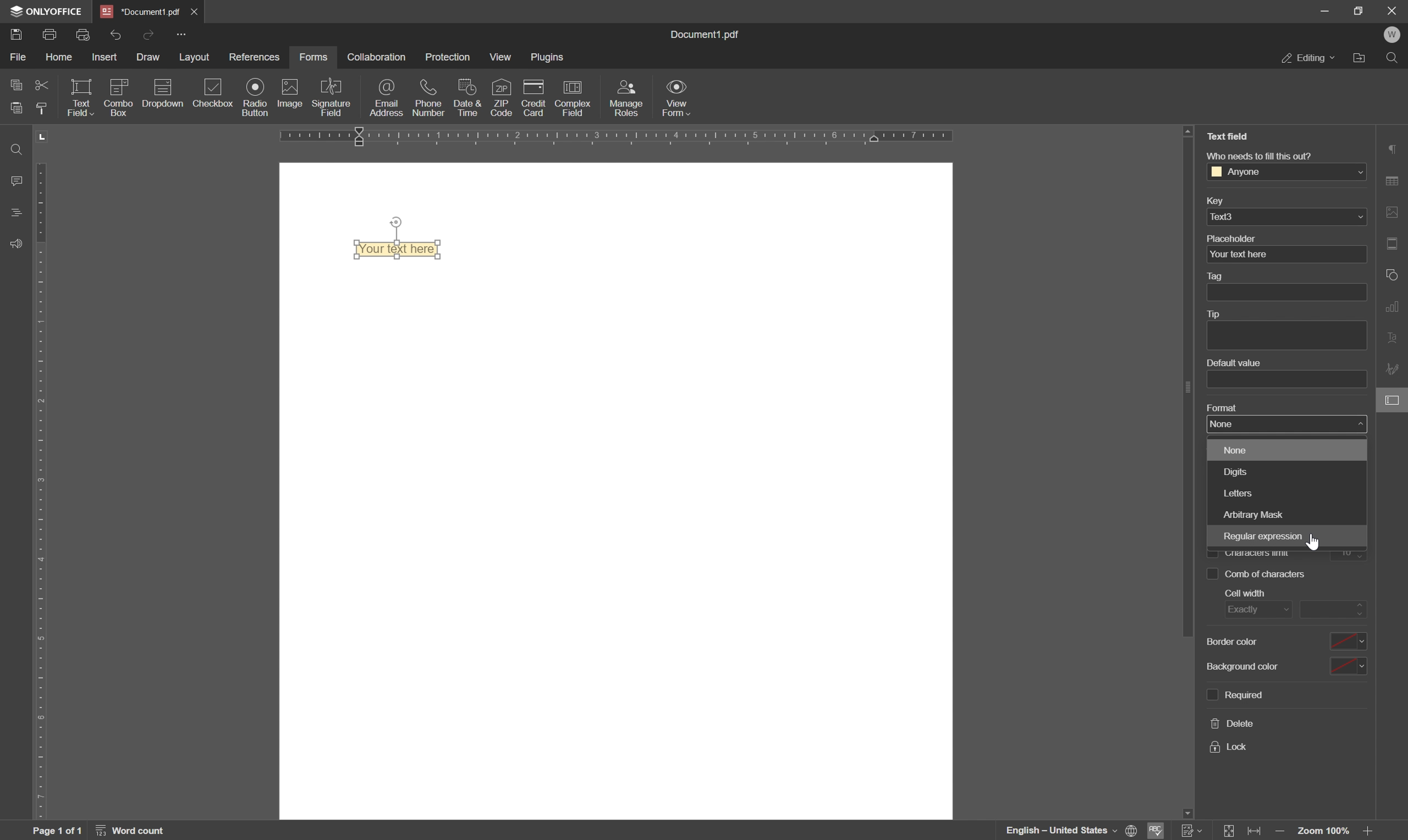 The image size is (1408, 840). What do you see at coordinates (314, 57) in the screenshot?
I see `forms` at bounding box center [314, 57].